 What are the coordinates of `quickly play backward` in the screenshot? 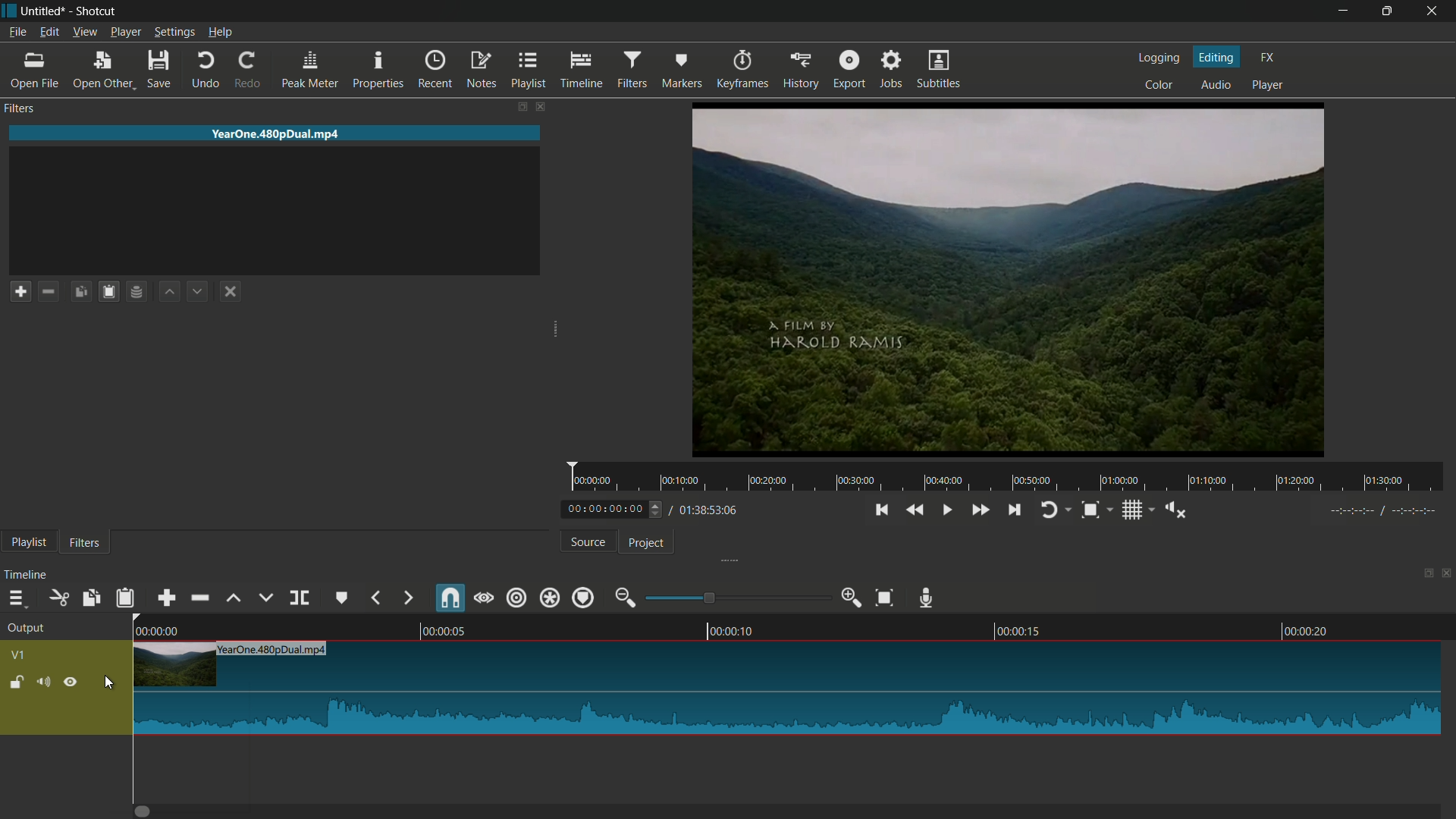 It's located at (915, 510).